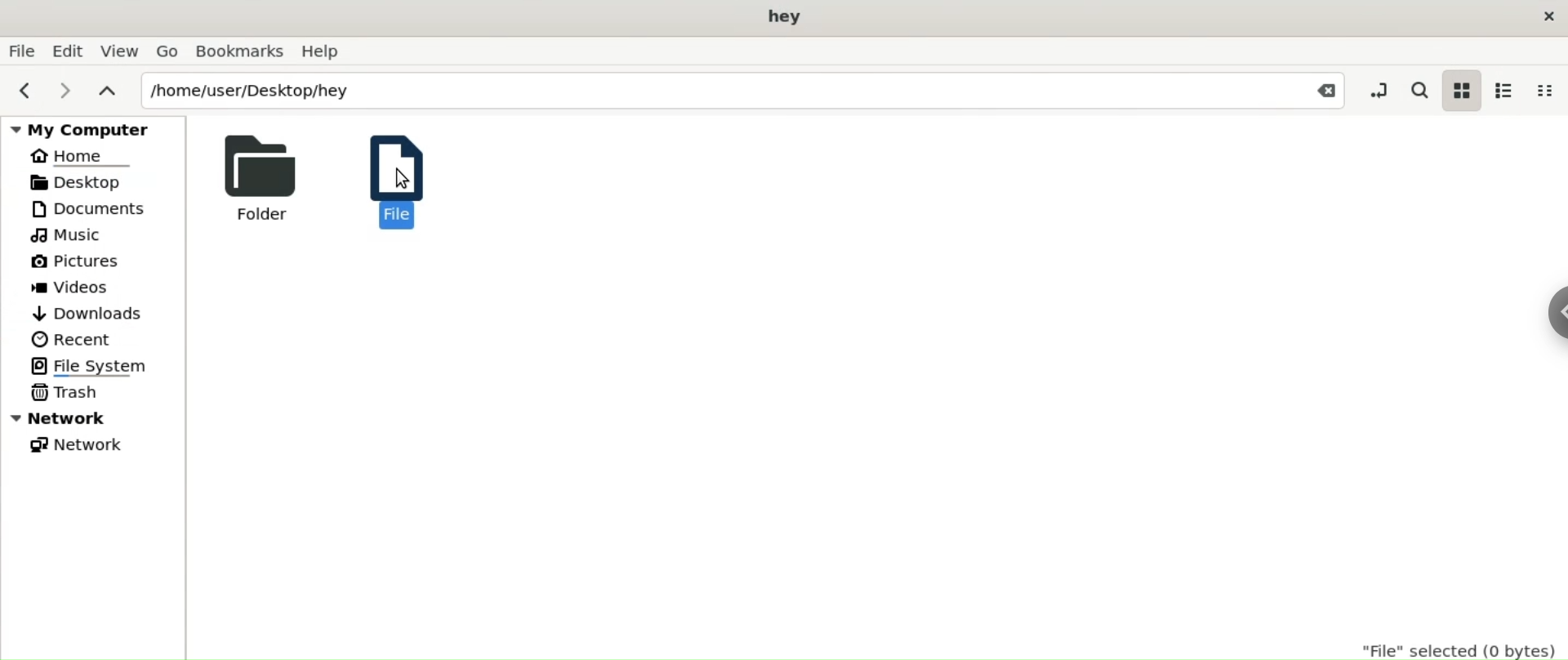 Image resolution: width=1568 pixels, height=660 pixels. I want to click on File, so click(403, 178).